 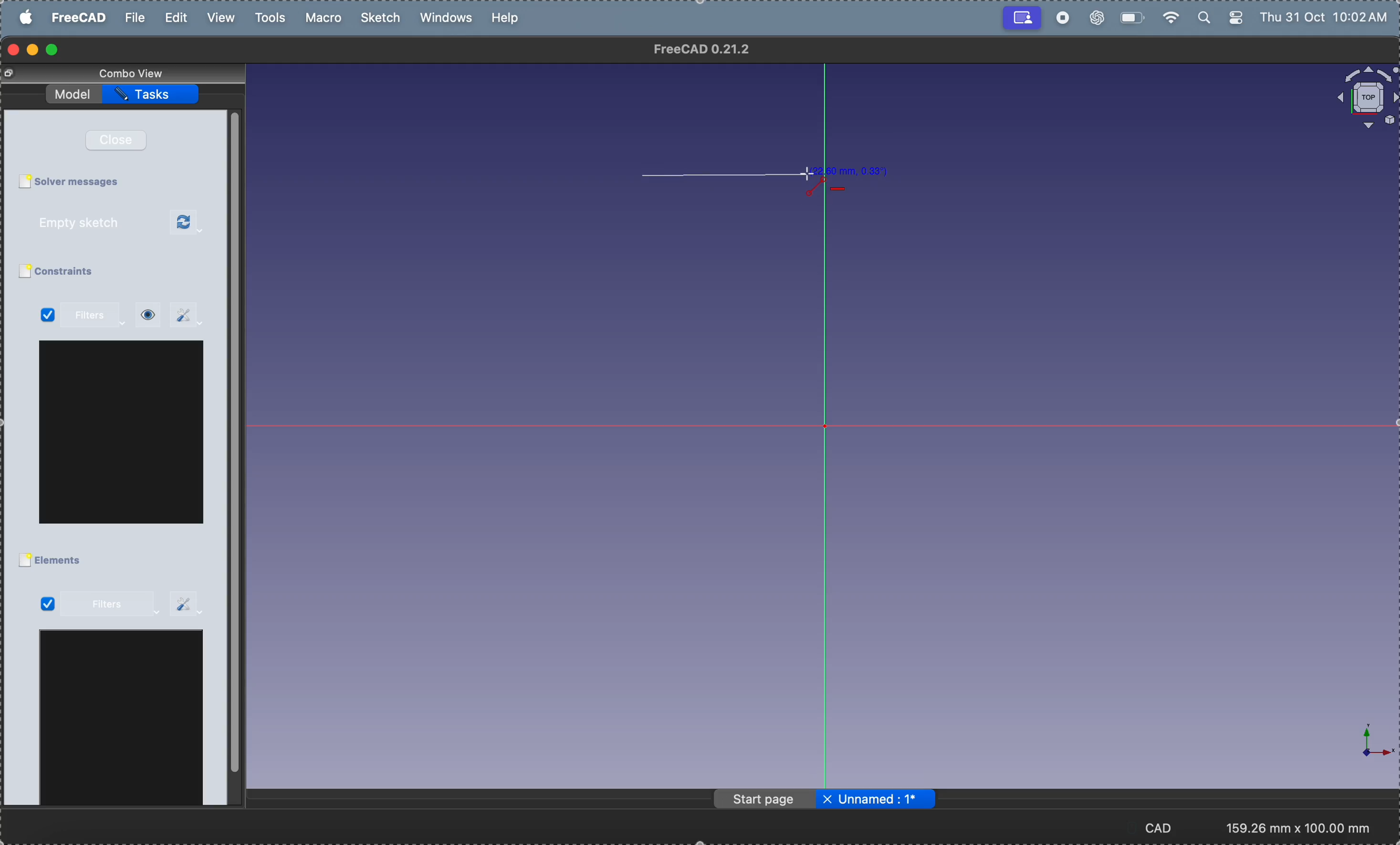 I want to click on filters, so click(x=110, y=605).